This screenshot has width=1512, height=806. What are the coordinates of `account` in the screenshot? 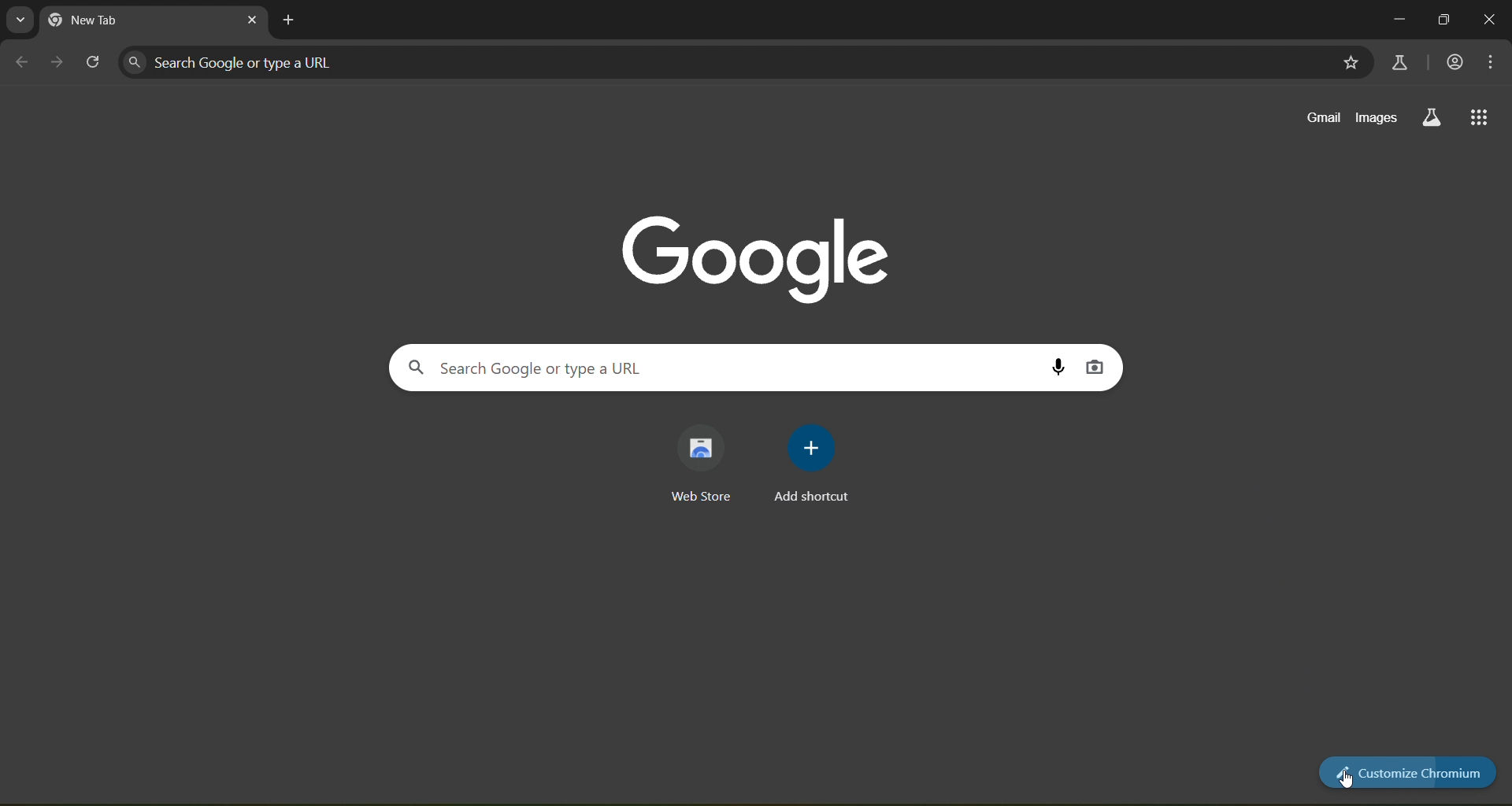 It's located at (1455, 63).